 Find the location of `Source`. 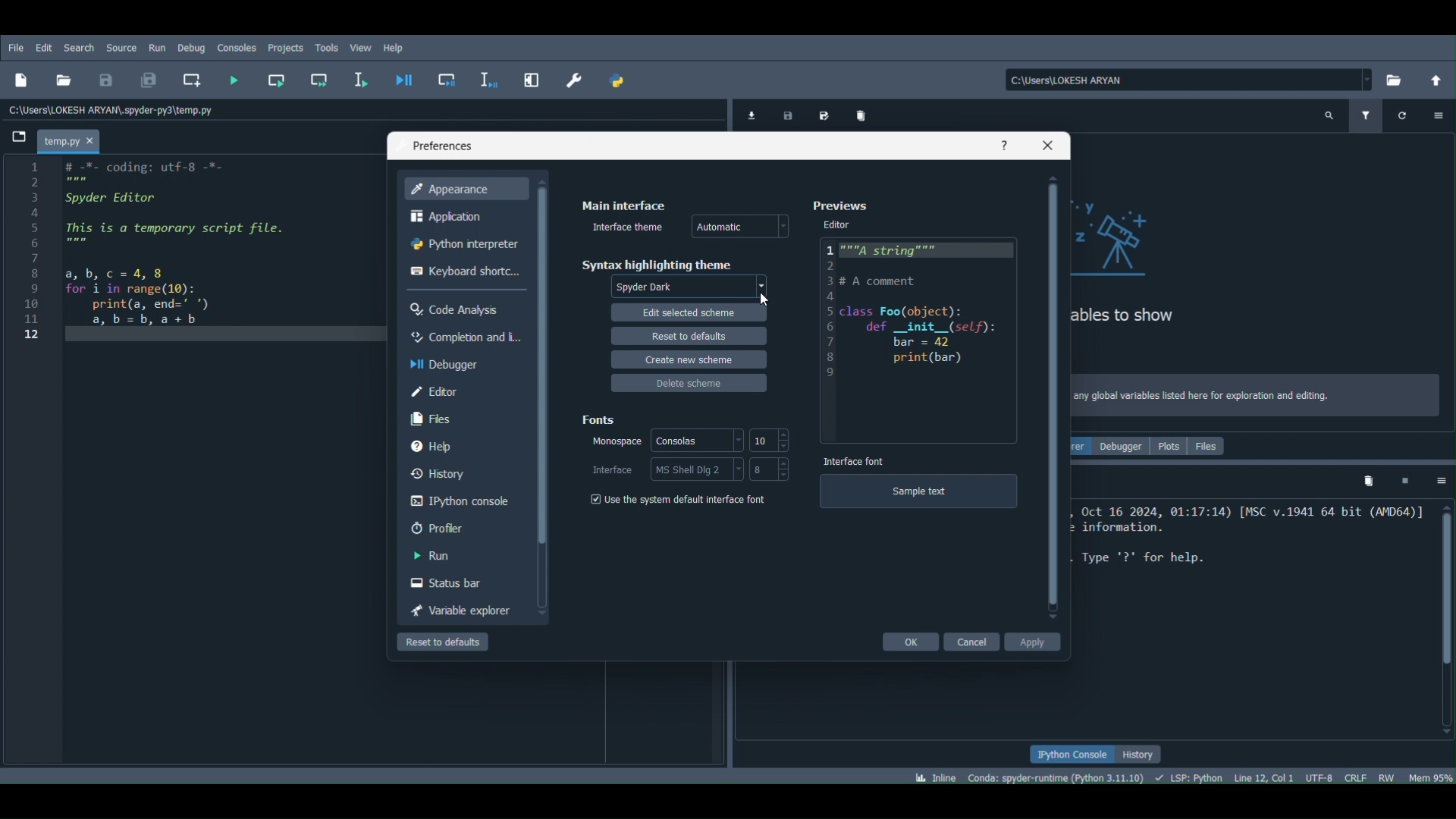

Source is located at coordinates (124, 47).